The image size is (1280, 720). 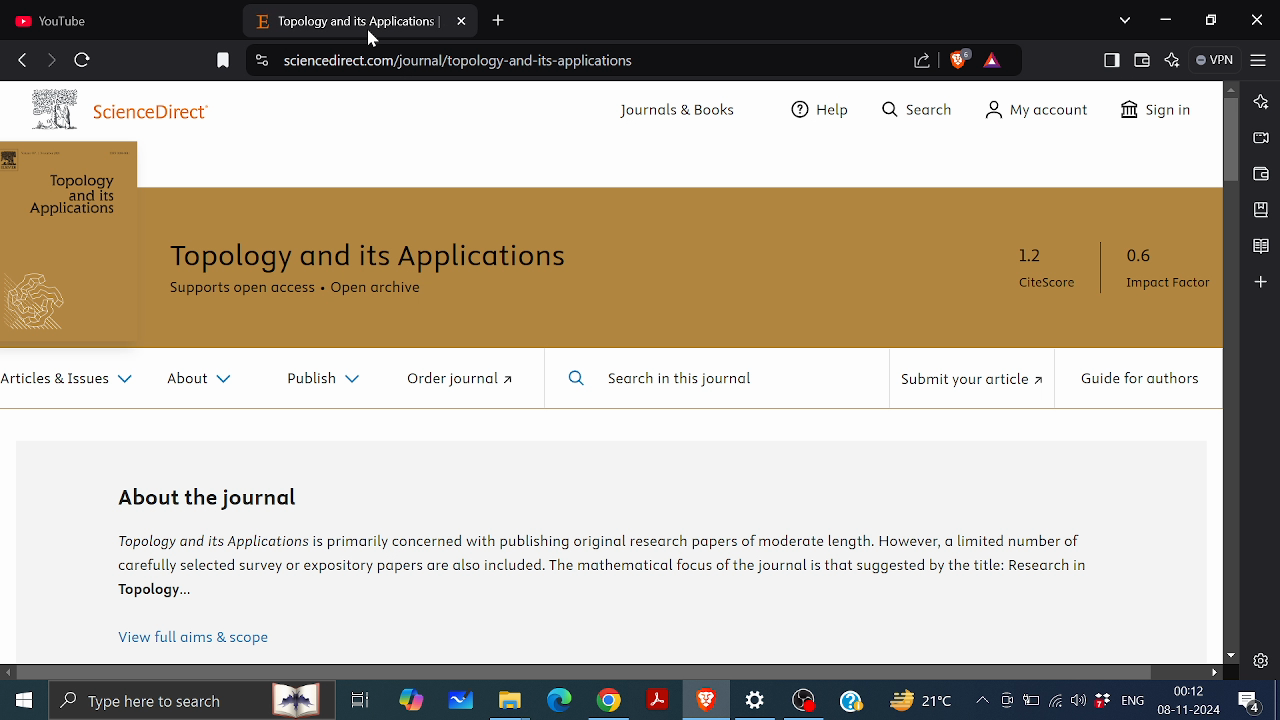 What do you see at coordinates (1164, 18) in the screenshot?
I see `Minimize` at bounding box center [1164, 18].